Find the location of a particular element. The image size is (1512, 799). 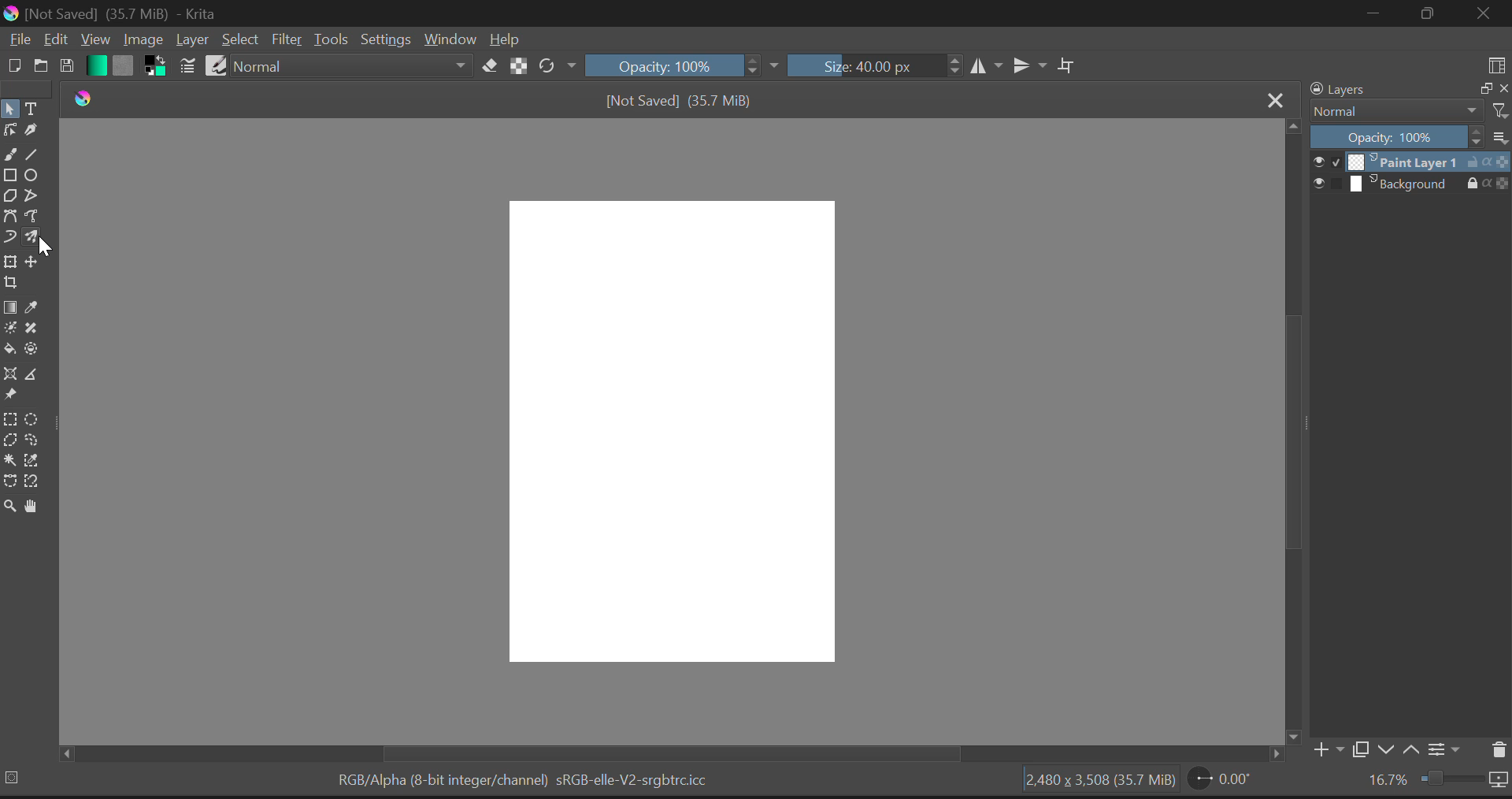

Opacity 100% is located at coordinates (1395, 138).